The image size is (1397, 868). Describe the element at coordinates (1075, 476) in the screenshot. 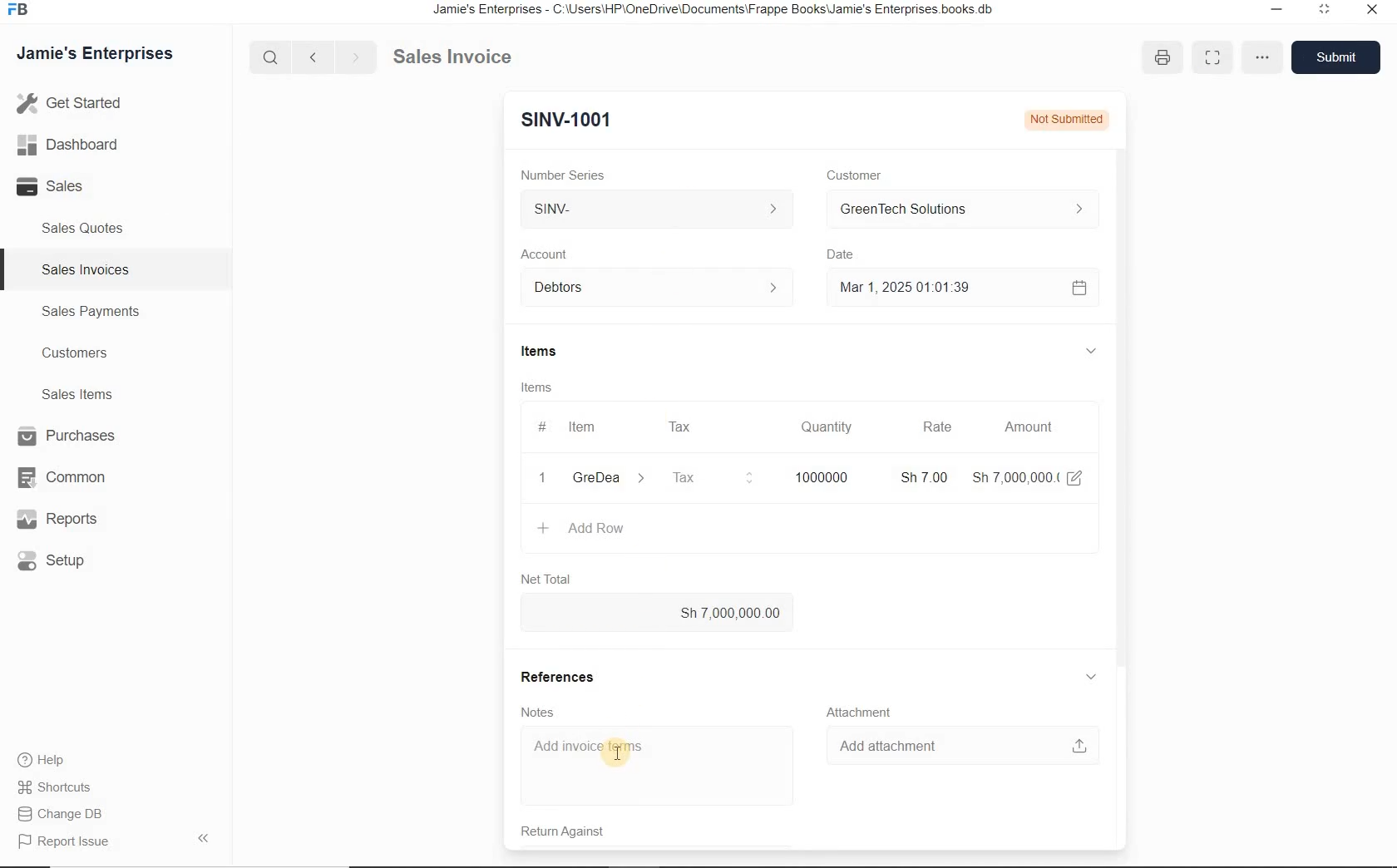

I see `edit` at that location.